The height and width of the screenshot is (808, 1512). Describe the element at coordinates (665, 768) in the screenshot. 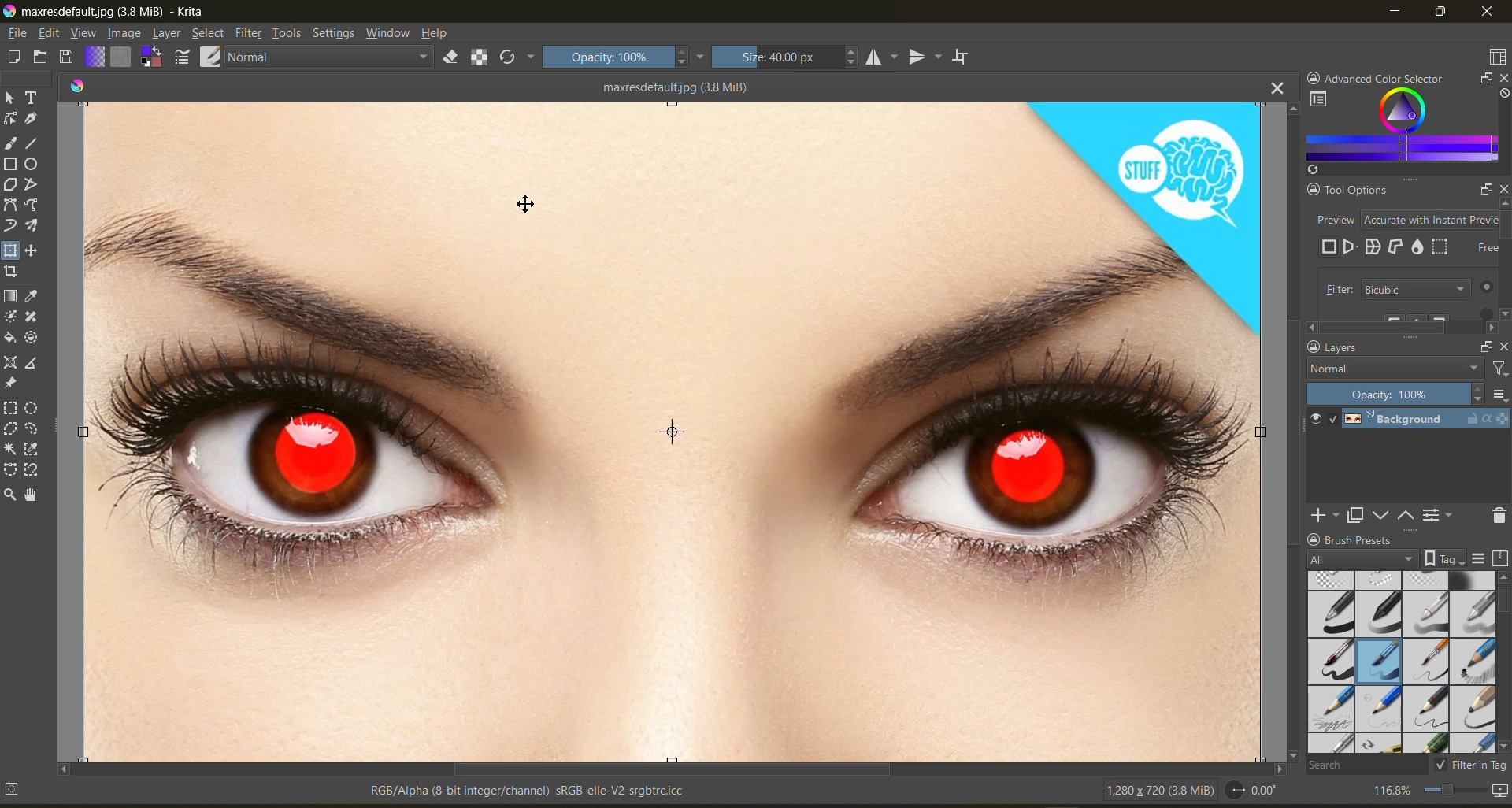

I see `horizontal scroll bar` at that location.